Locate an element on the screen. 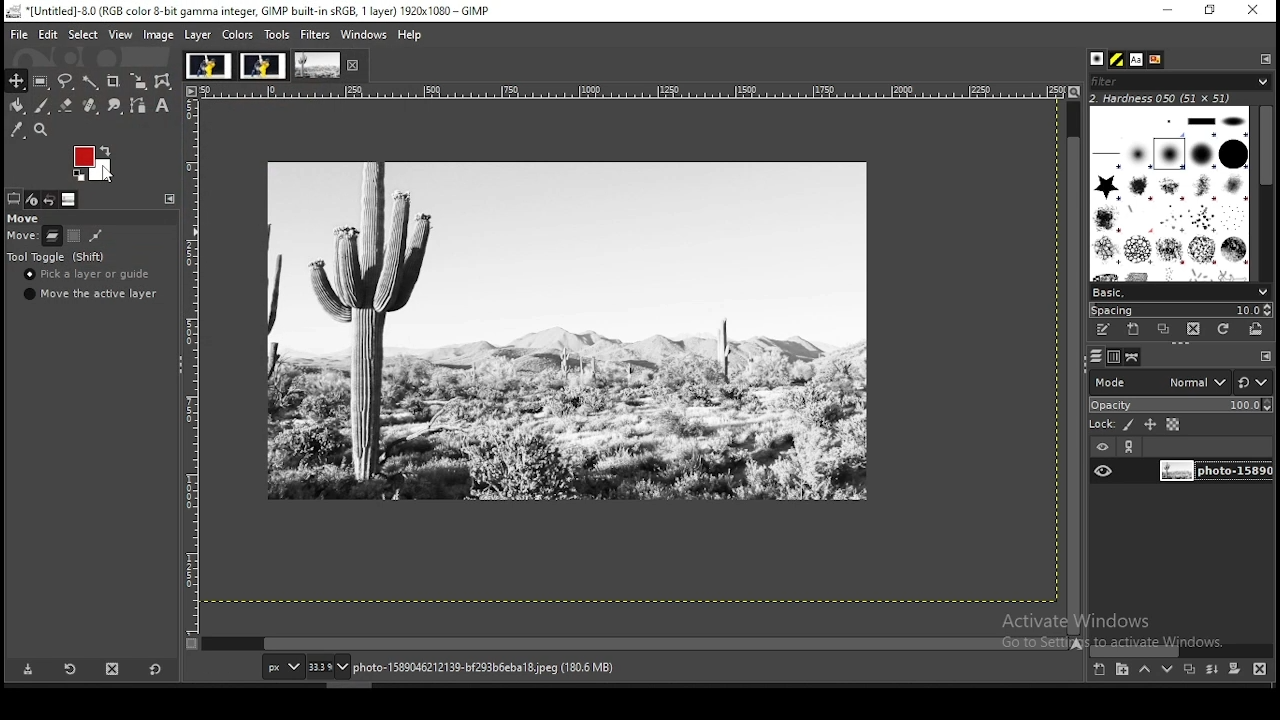 This screenshot has height=720, width=1280. move layer one step down is located at coordinates (1167, 669).